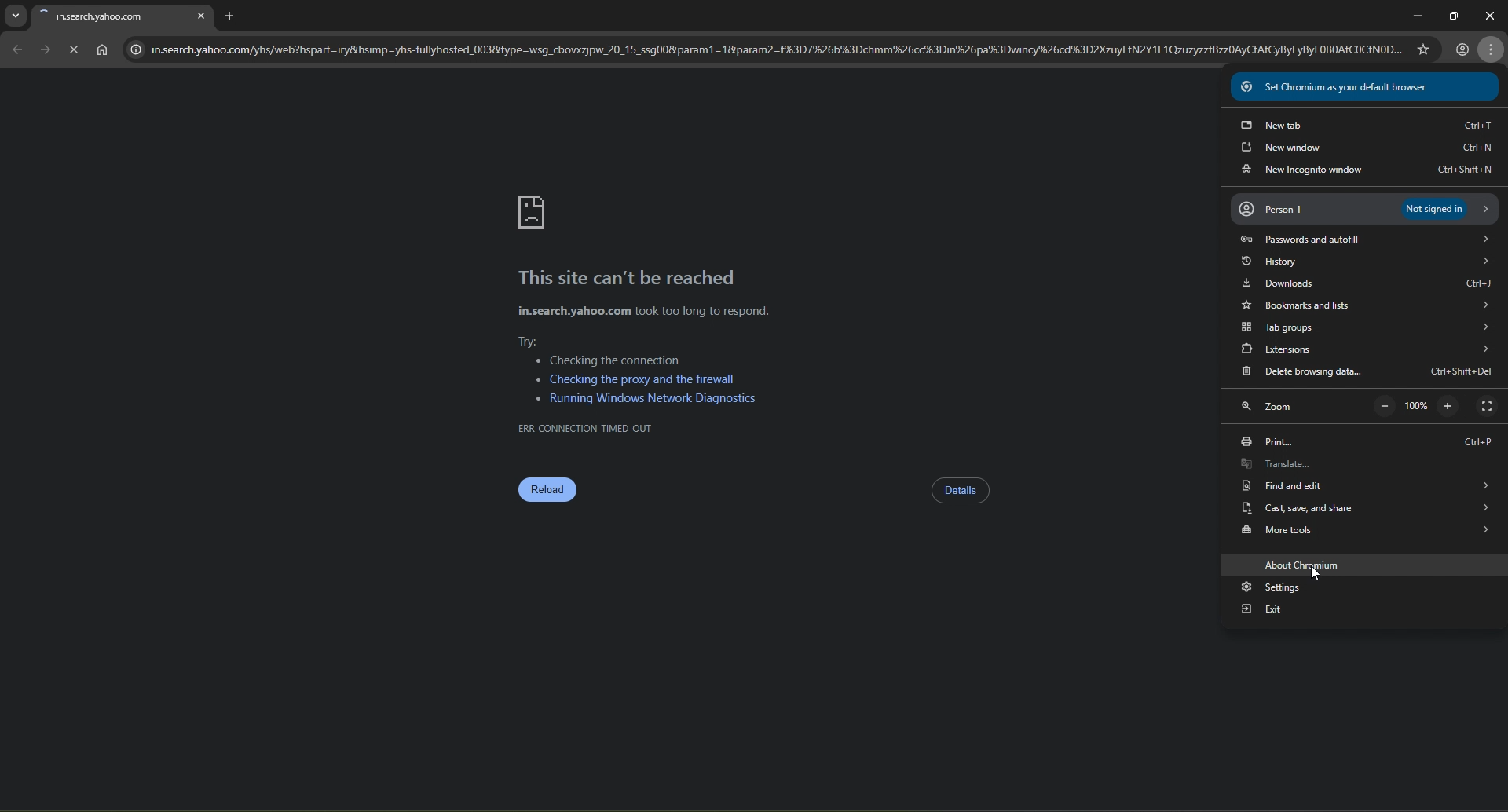 The height and width of the screenshot is (812, 1508). Describe the element at coordinates (1363, 170) in the screenshot. I see `New Incognito window` at that location.